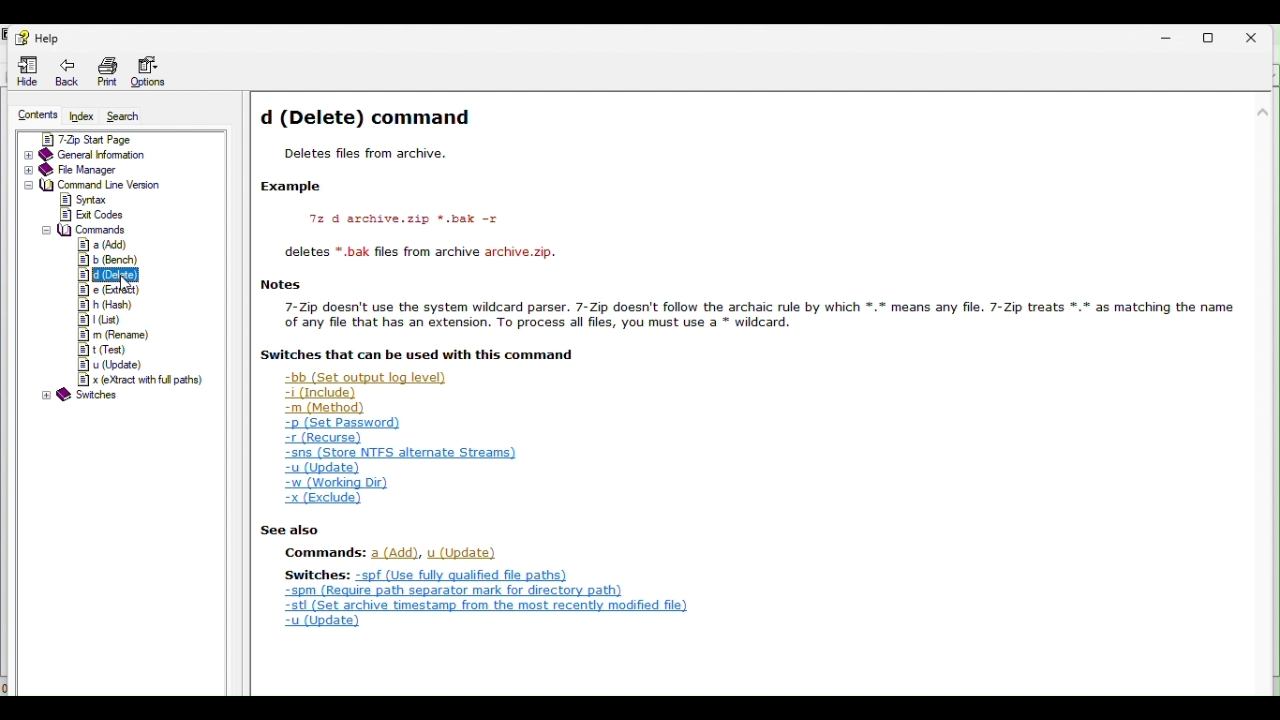 Image resolution: width=1280 pixels, height=720 pixels. What do you see at coordinates (279, 284) in the screenshot?
I see `Notes` at bounding box center [279, 284].